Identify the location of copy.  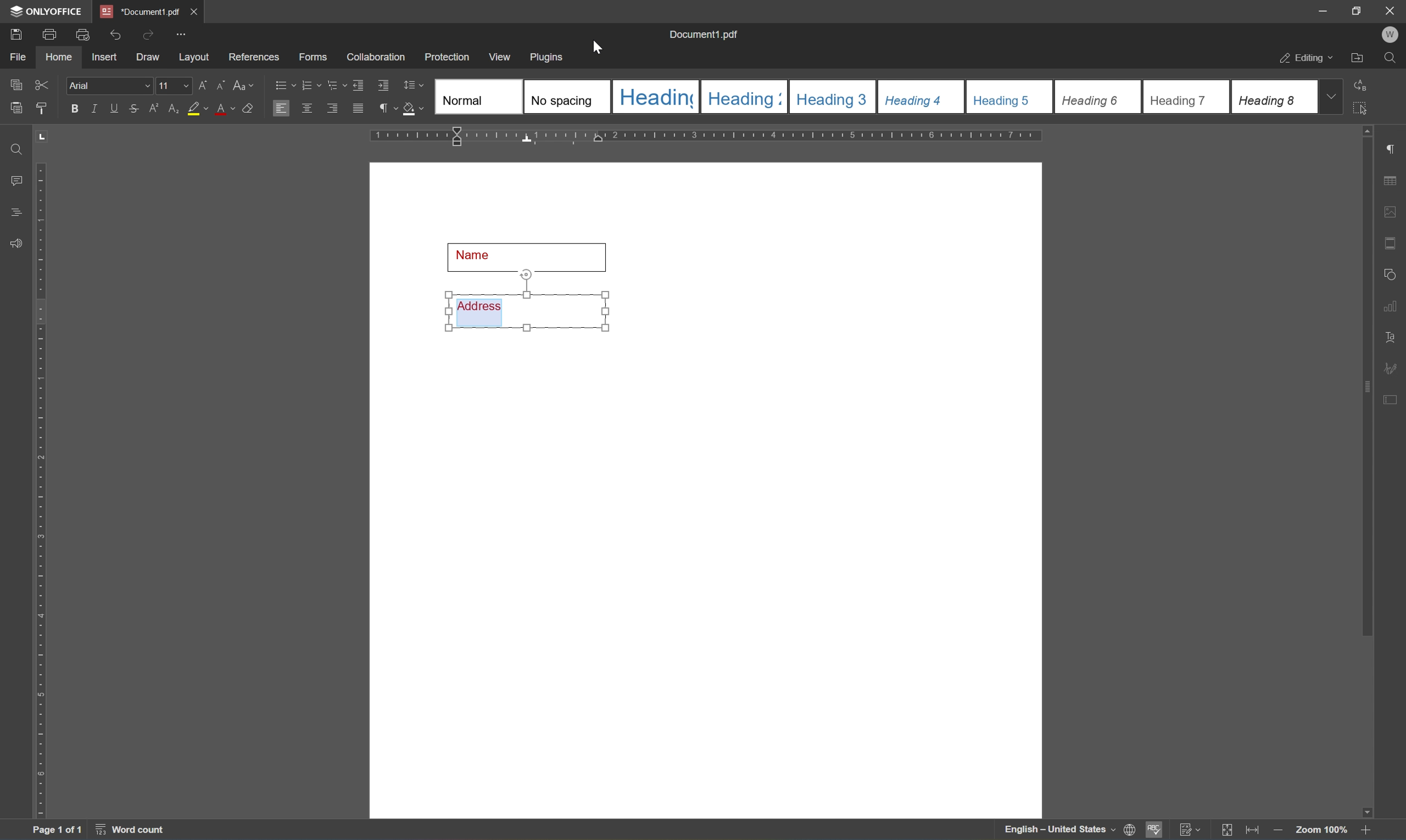
(17, 108).